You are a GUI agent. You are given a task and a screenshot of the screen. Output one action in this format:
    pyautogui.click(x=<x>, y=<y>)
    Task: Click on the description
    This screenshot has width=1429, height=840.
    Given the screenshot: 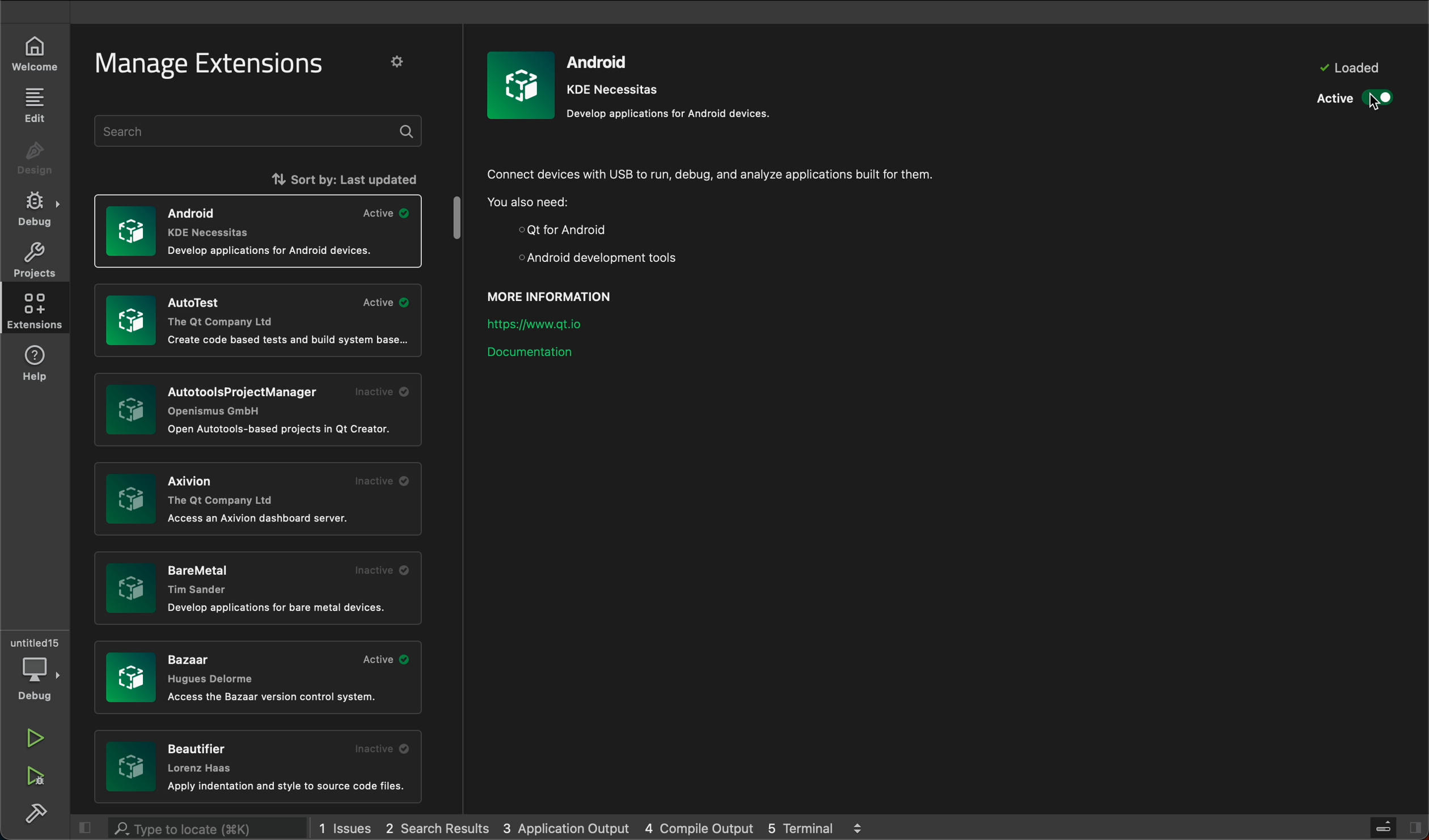 What is the action you would take?
    pyautogui.click(x=730, y=215)
    